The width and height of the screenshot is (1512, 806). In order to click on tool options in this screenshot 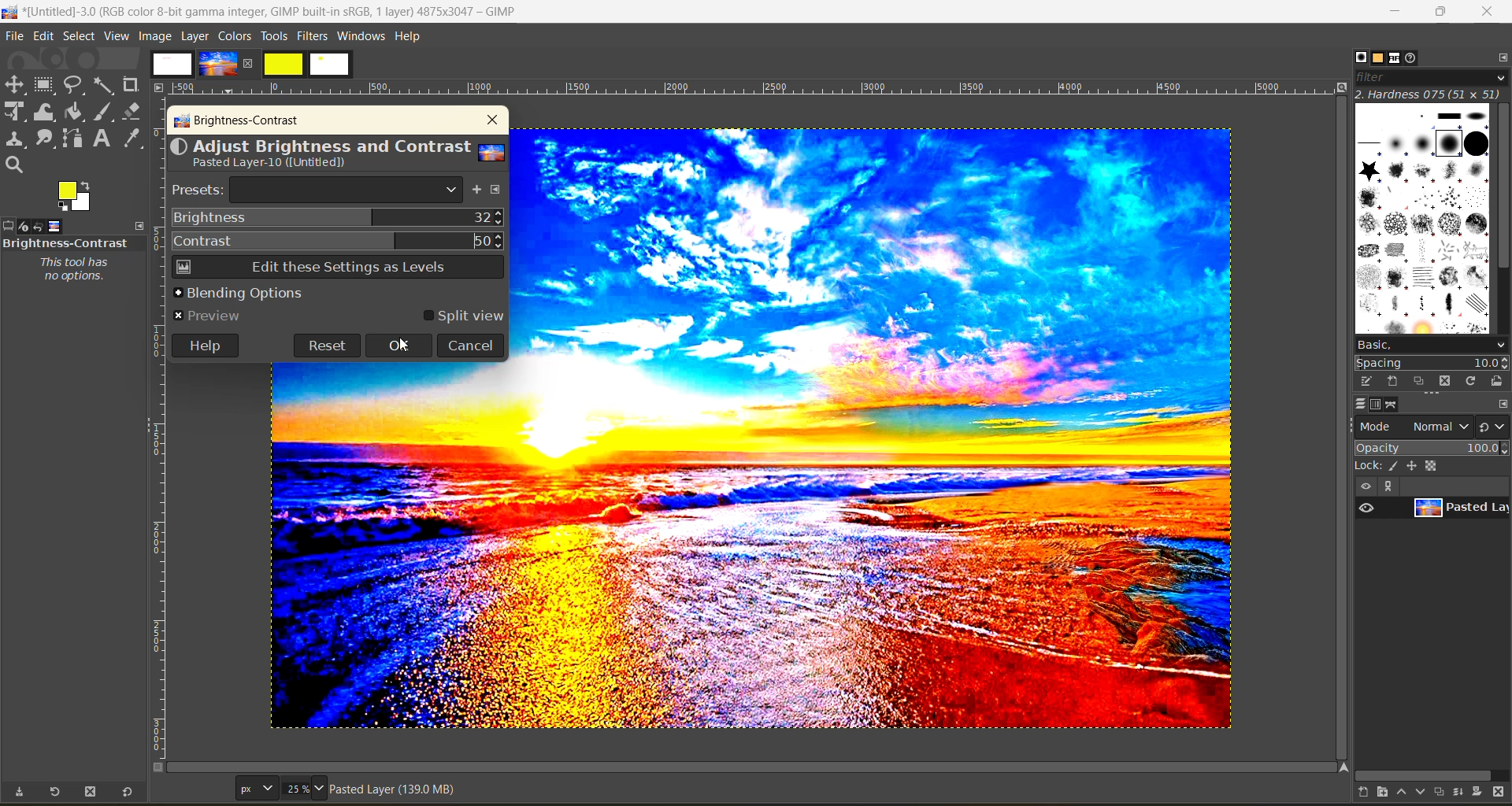, I will do `click(9, 226)`.